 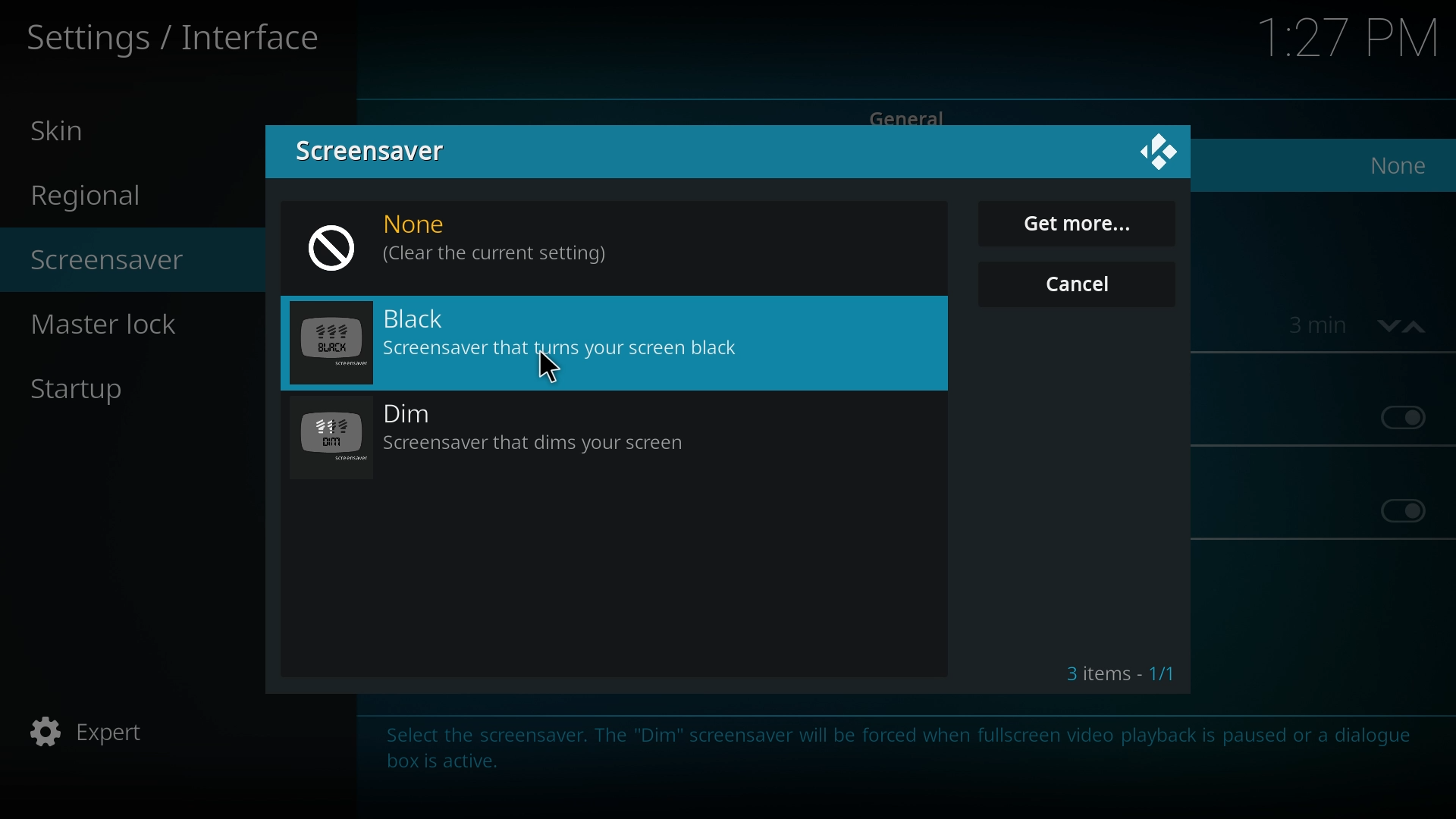 What do you see at coordinates (1403, 417) in the screenshot?
I see `off` at bounding box center [1403, 417].